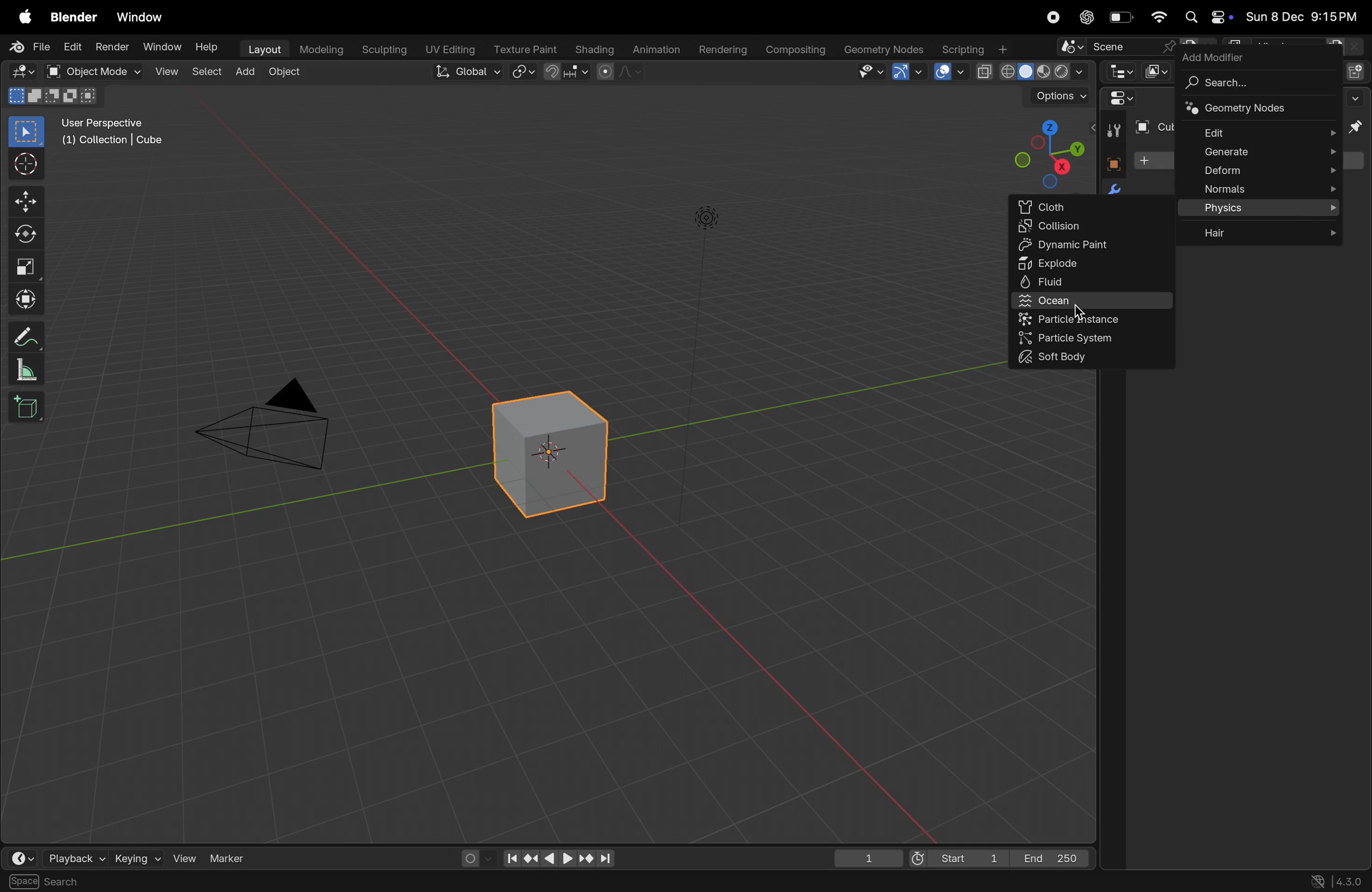 The image size is (1372, 892). Describe the element at coordinates (26, 18) in the screenshot. I see `apple menu` at that location.